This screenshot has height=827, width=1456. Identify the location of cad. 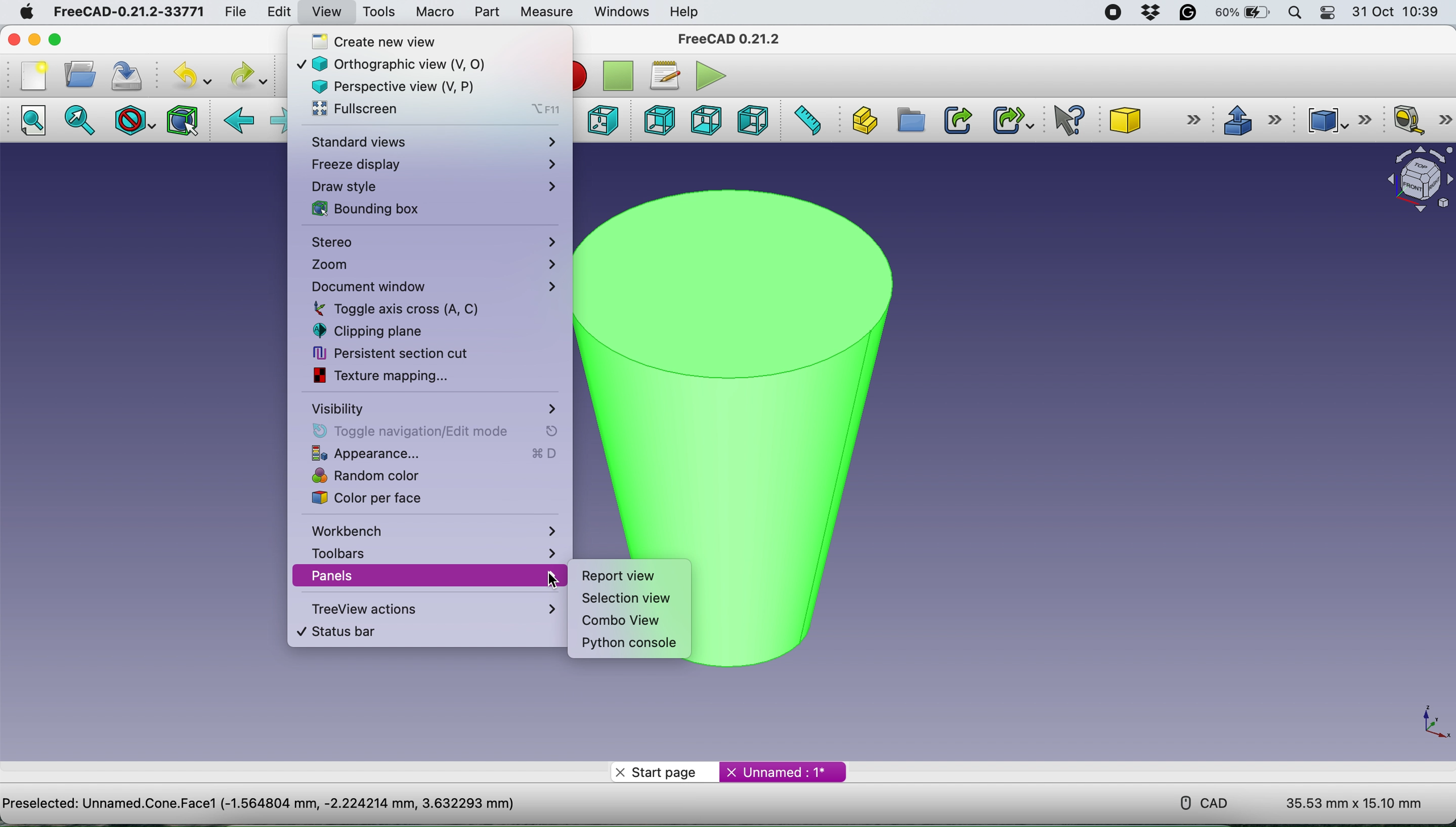
(1196, 801).